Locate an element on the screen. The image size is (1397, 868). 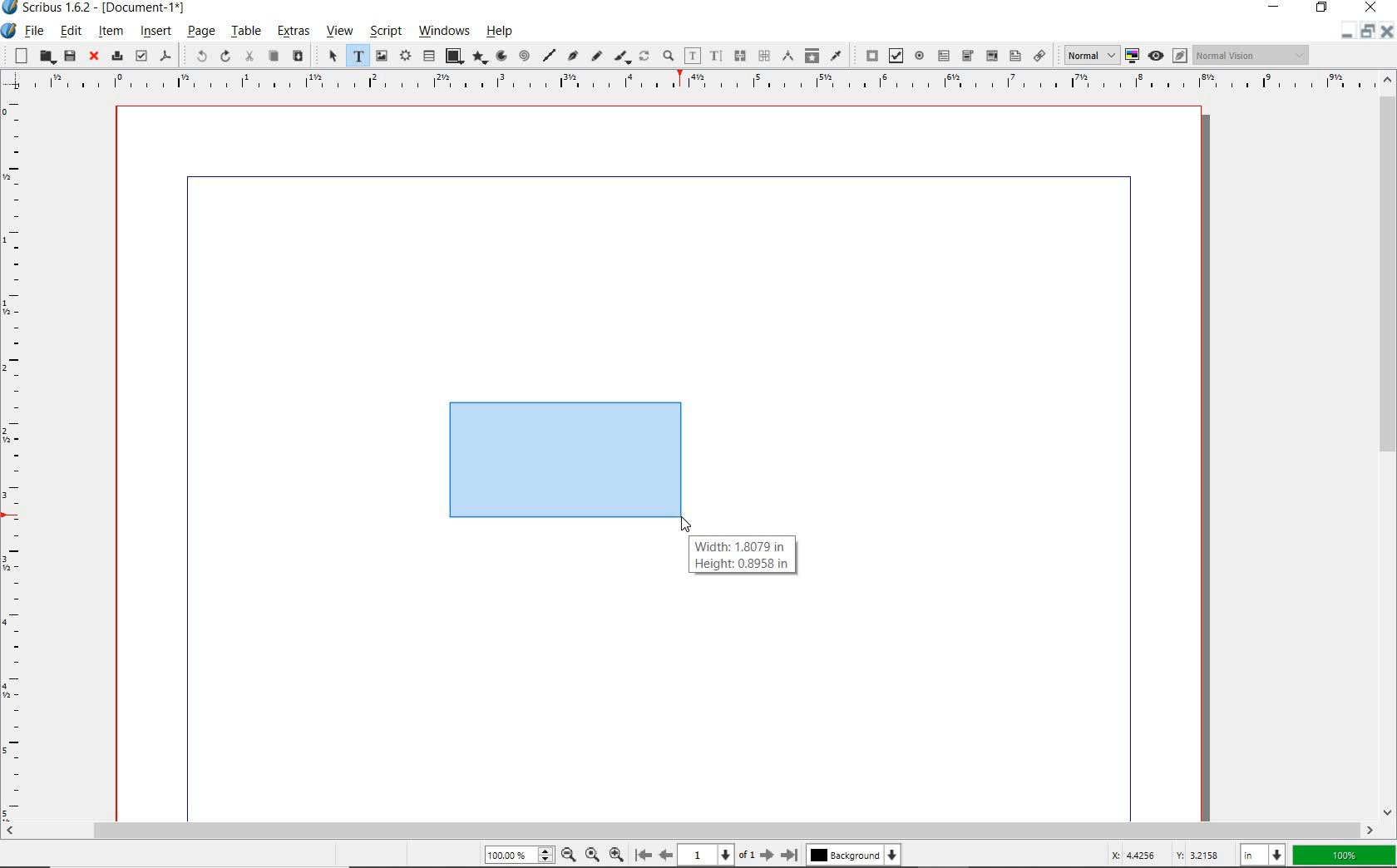
Next Page is located at coordinates (768, 855).